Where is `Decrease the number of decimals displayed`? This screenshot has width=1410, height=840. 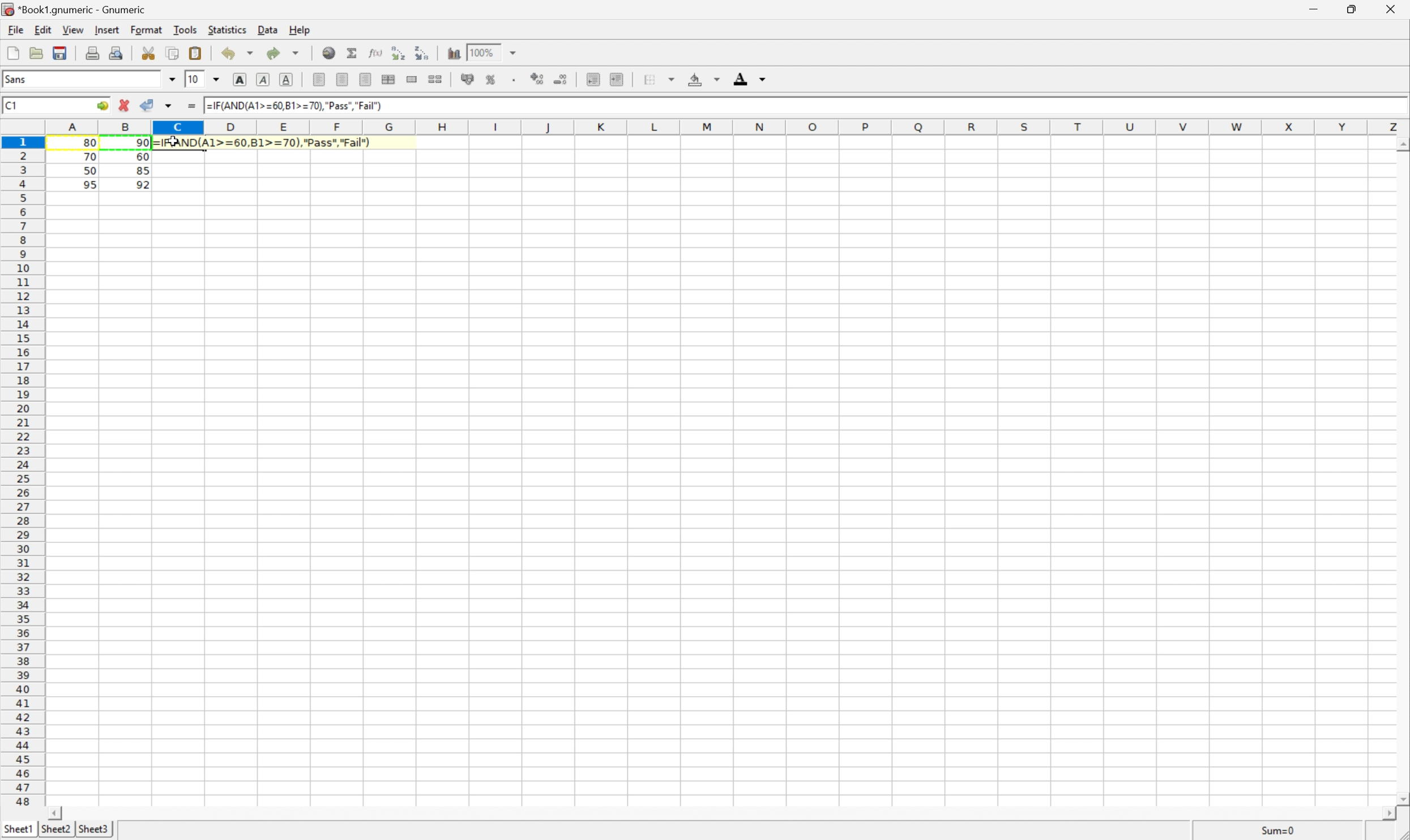
Decrease the number of decimals displayed is located at coordinates (563, 79).